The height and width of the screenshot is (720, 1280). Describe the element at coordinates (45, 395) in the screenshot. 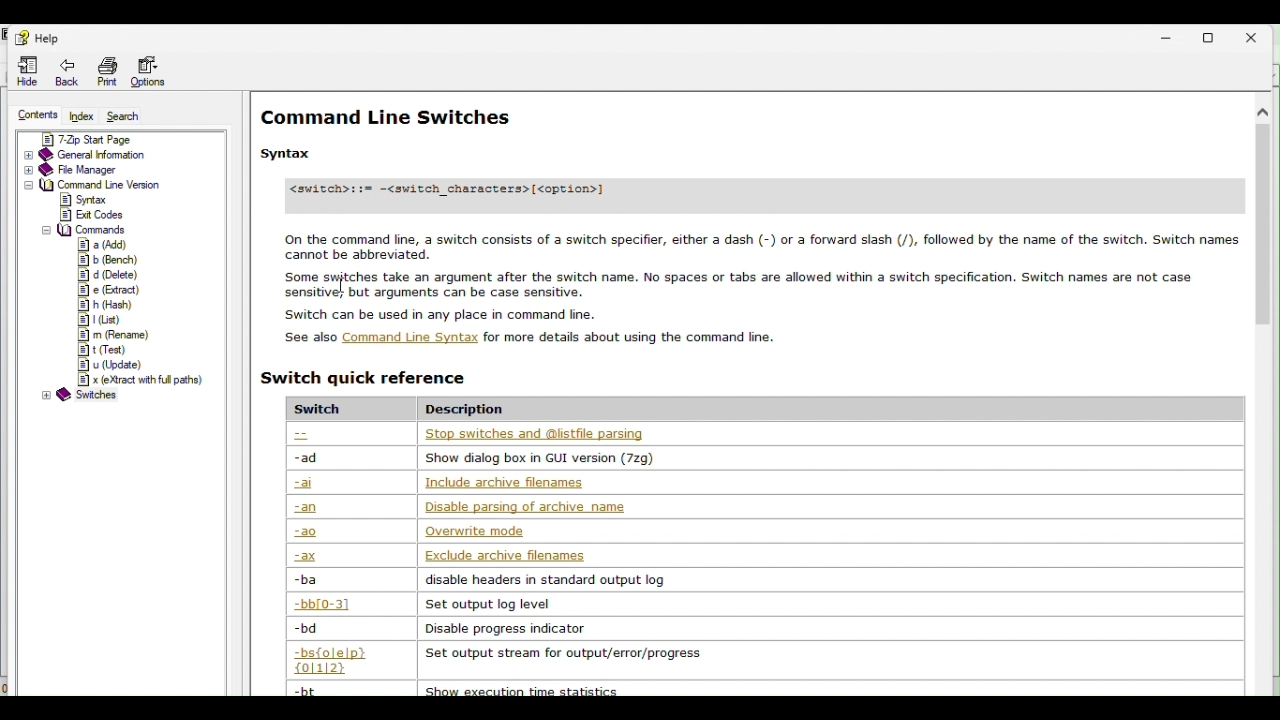

I see `expand` at that location.